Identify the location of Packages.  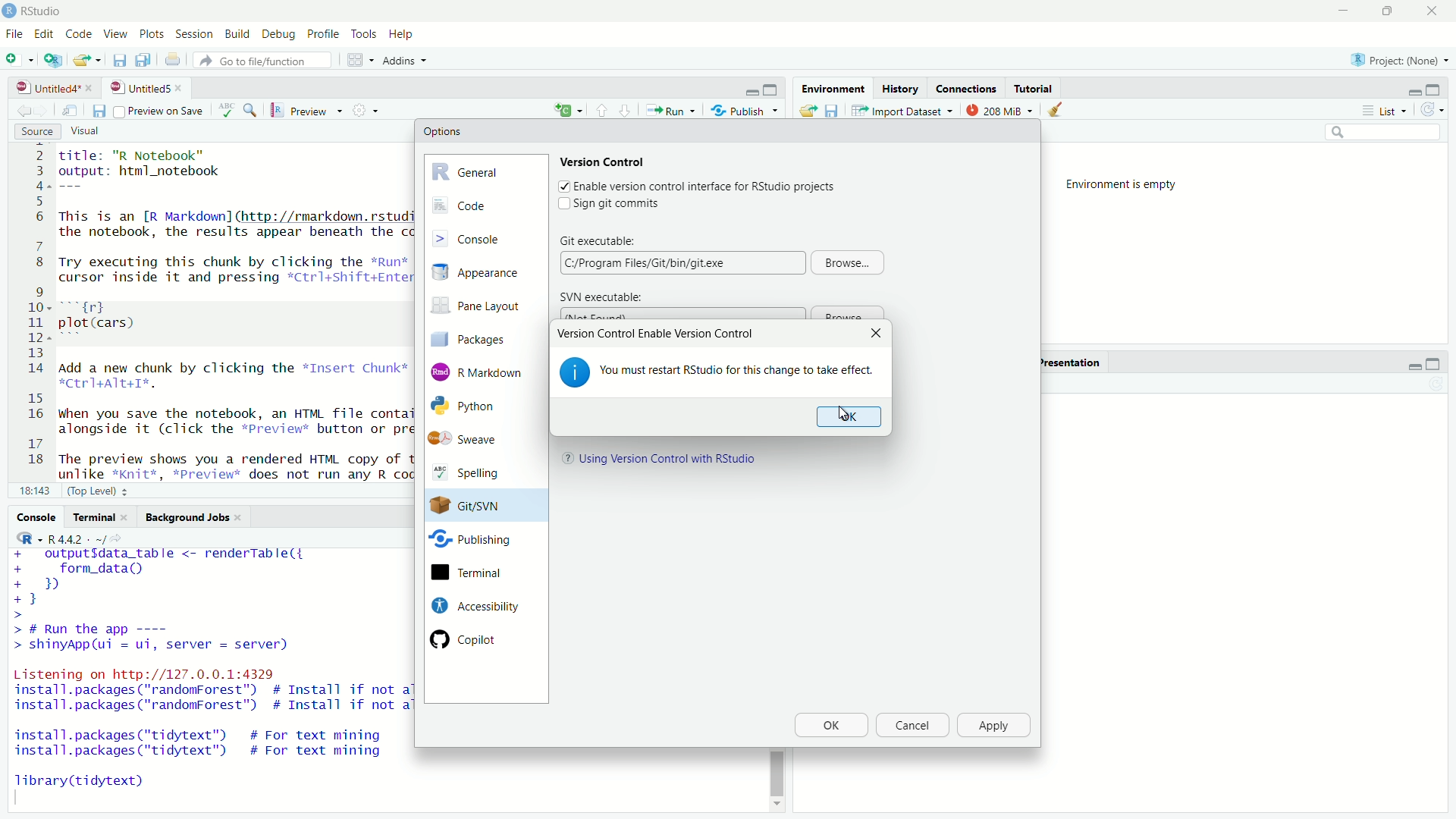
(481, 338).